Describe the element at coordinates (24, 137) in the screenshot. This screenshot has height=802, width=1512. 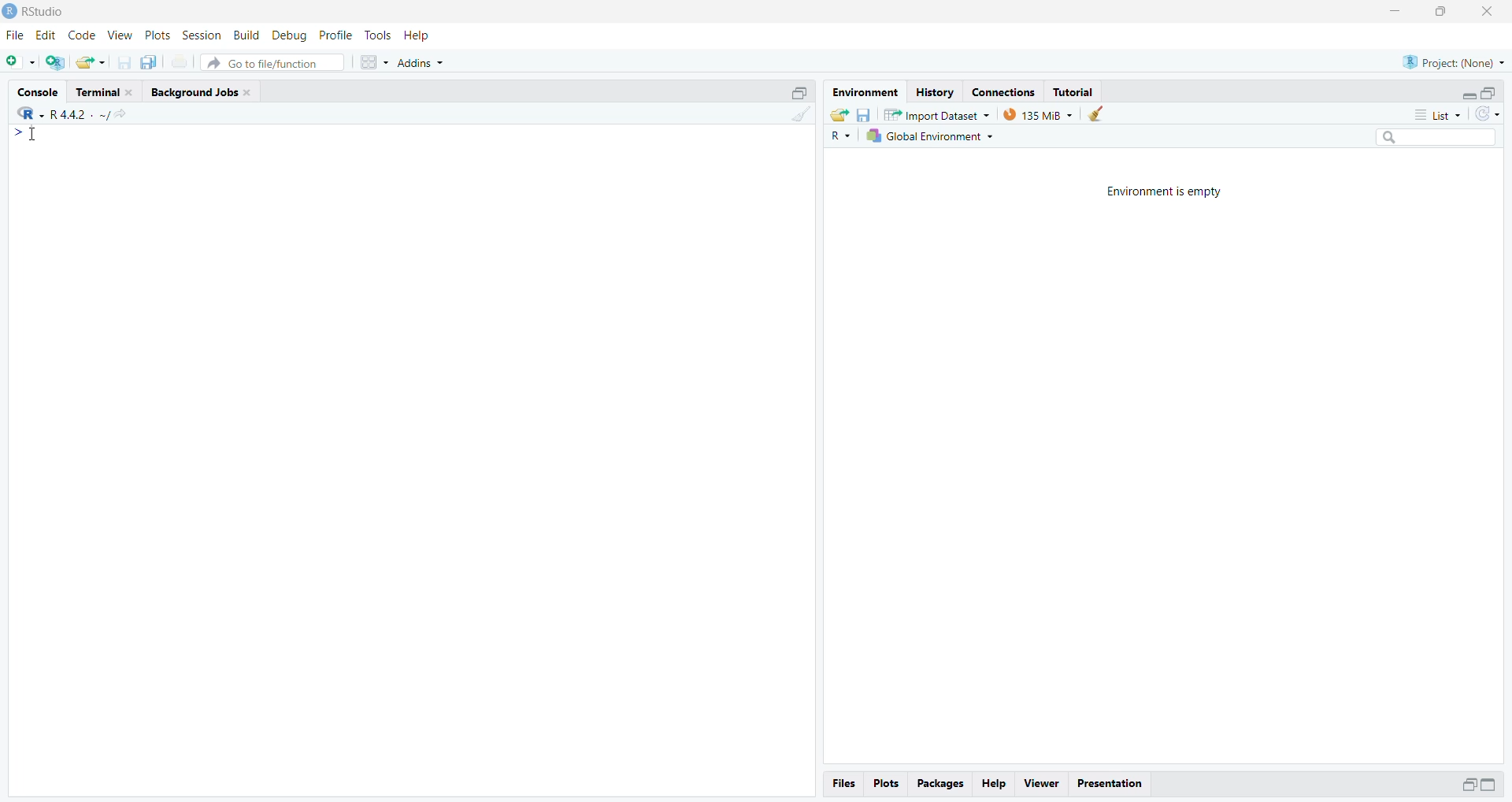
I see `Prompt cursor` at that location.